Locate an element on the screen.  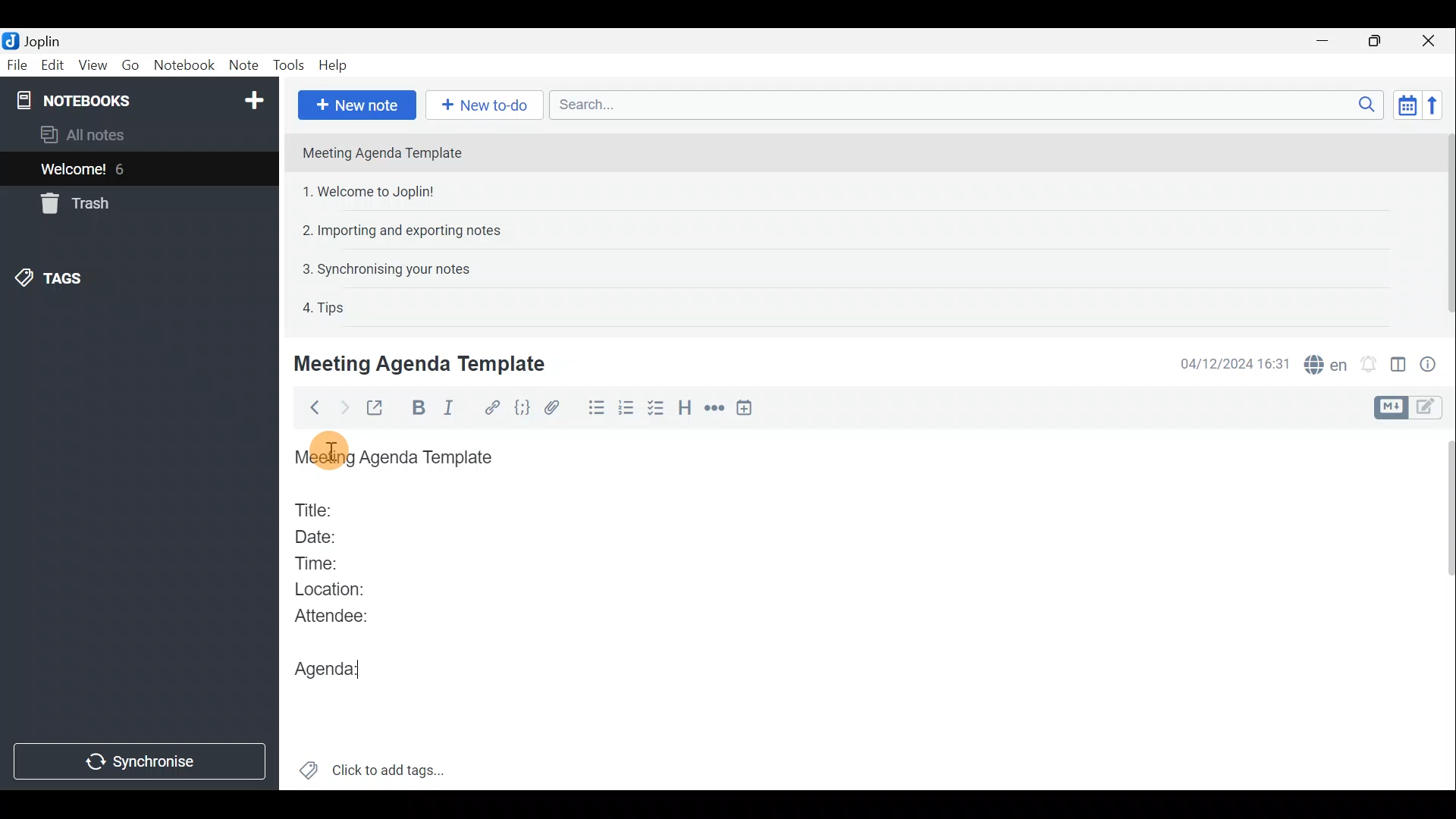
Maximise is located at coordinates (1376, 42).